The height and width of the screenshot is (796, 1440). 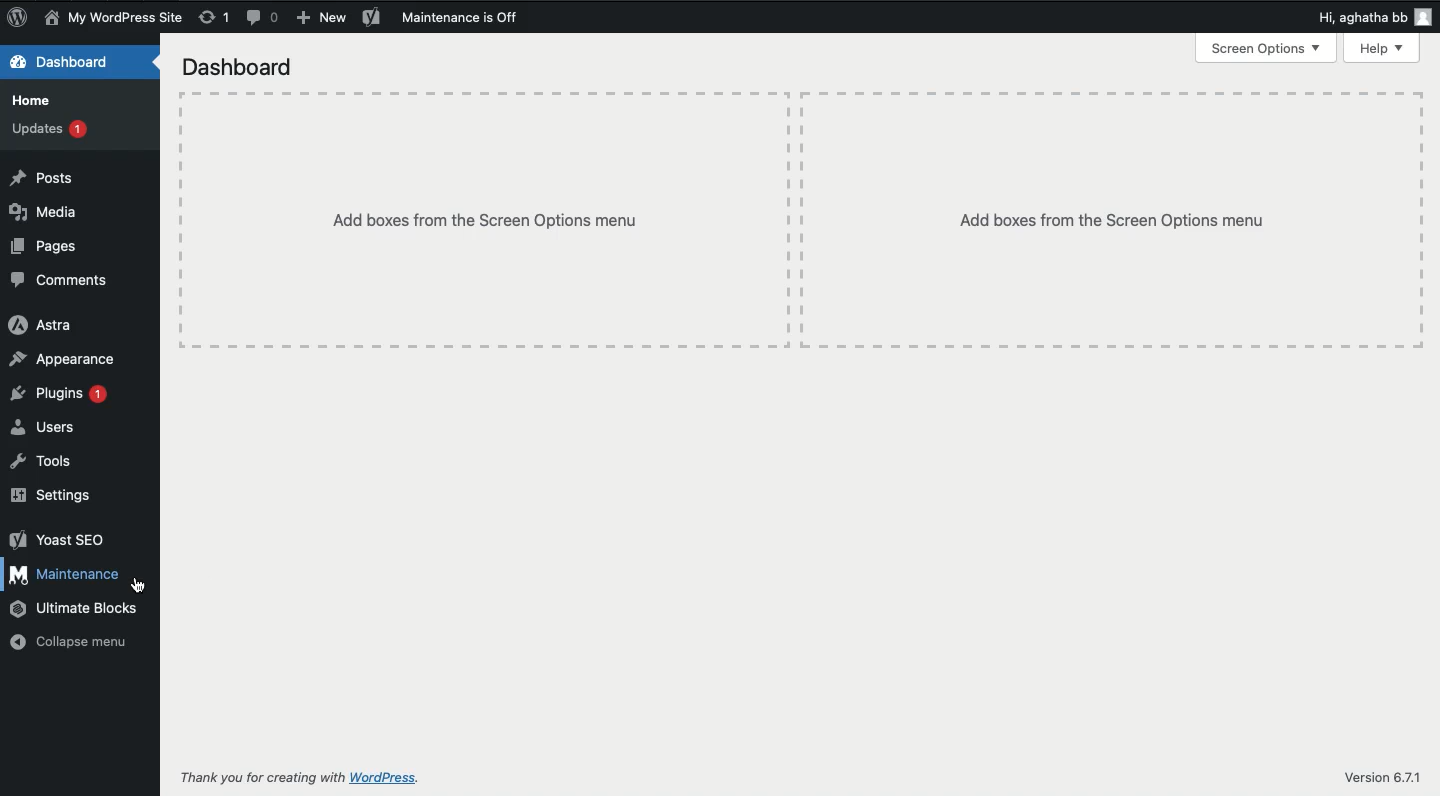 I want to click on Version 6.7.1, so click(x=1383, y=779).